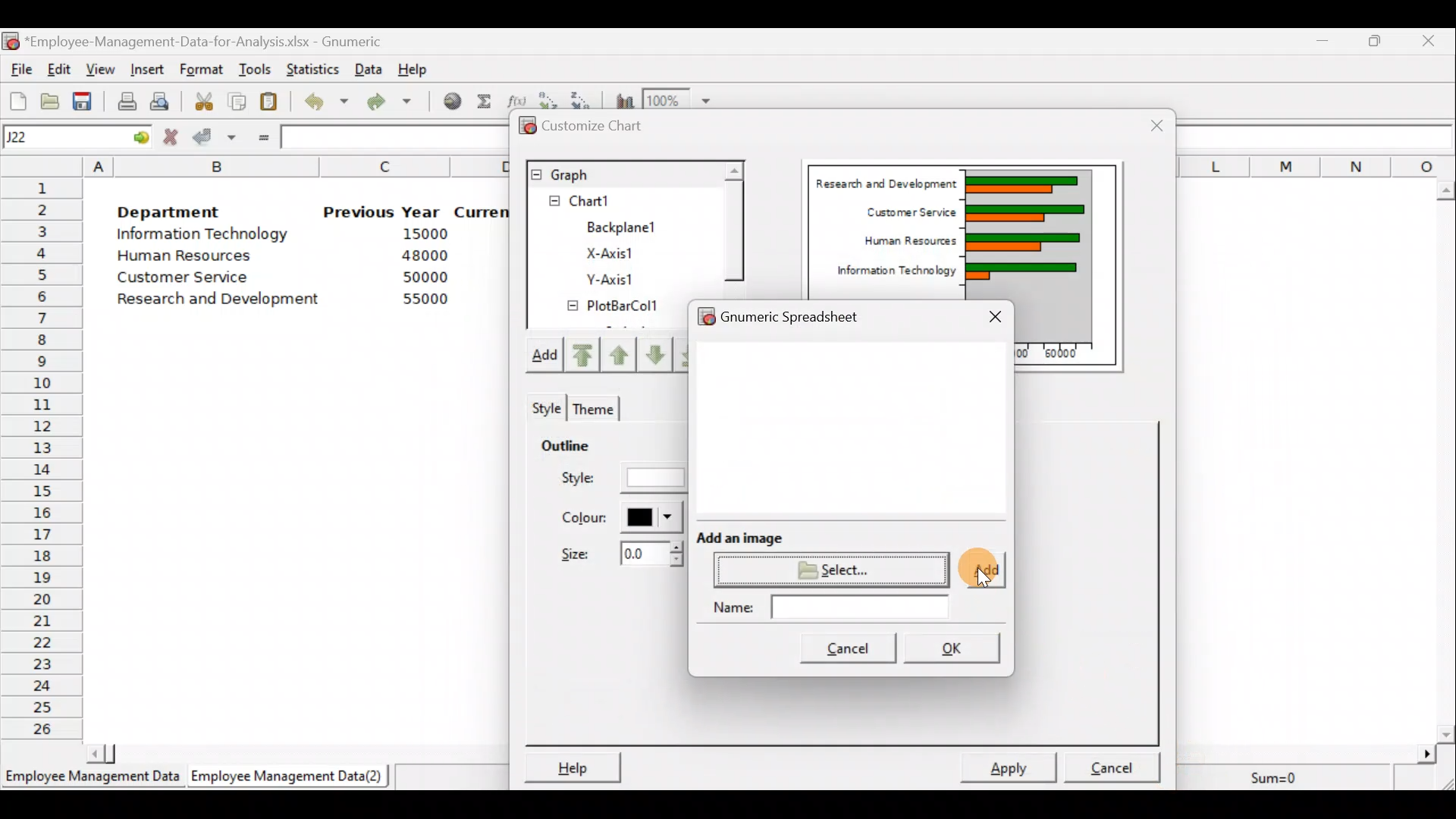 The height and width of the screenshot is (819, 1456). Describe the element at coordinates (587, 354) in the screenshot. I see `Move upward` at that location.